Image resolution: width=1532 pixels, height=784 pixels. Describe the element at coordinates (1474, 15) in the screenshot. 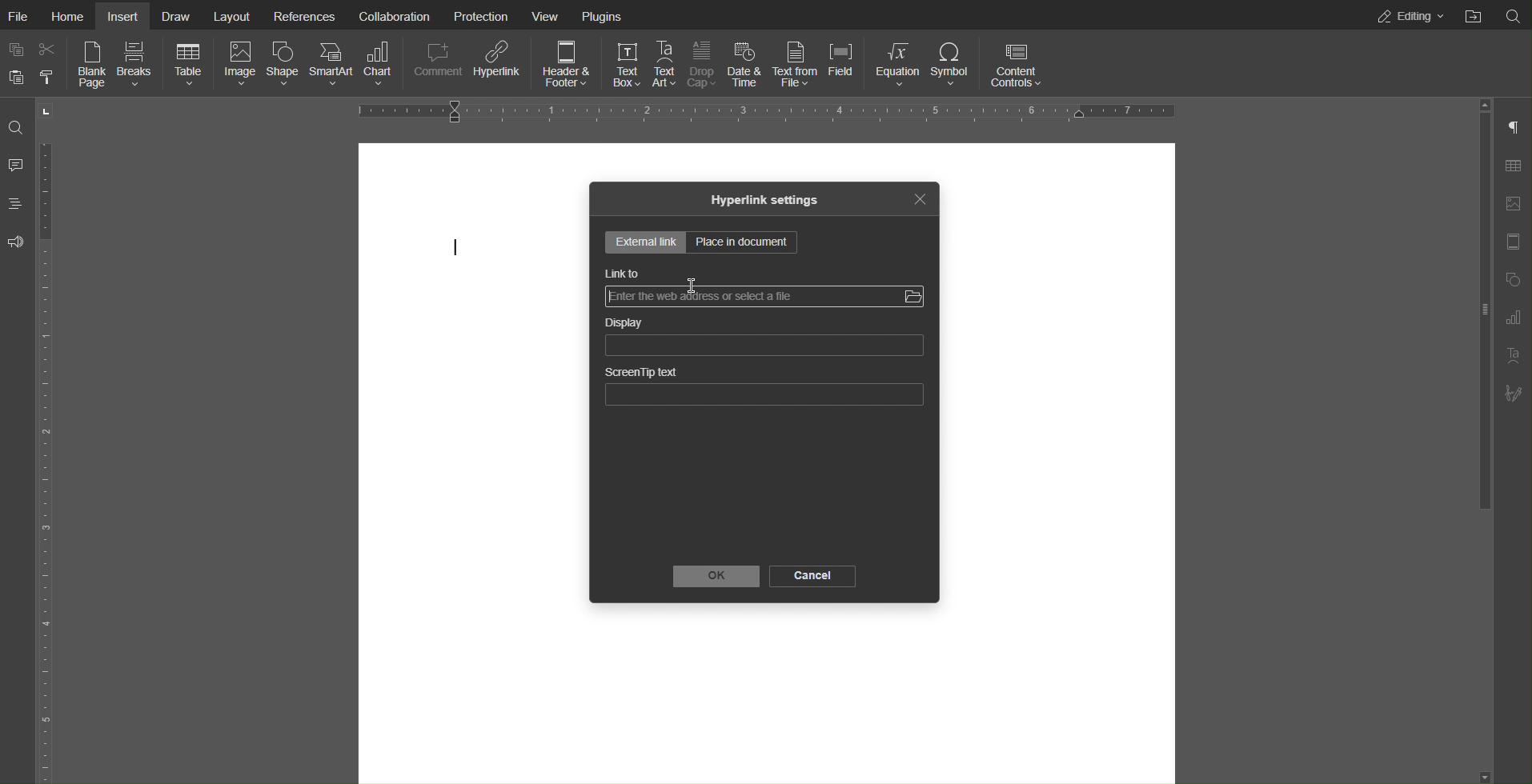

I see `Open File Location` at that location.